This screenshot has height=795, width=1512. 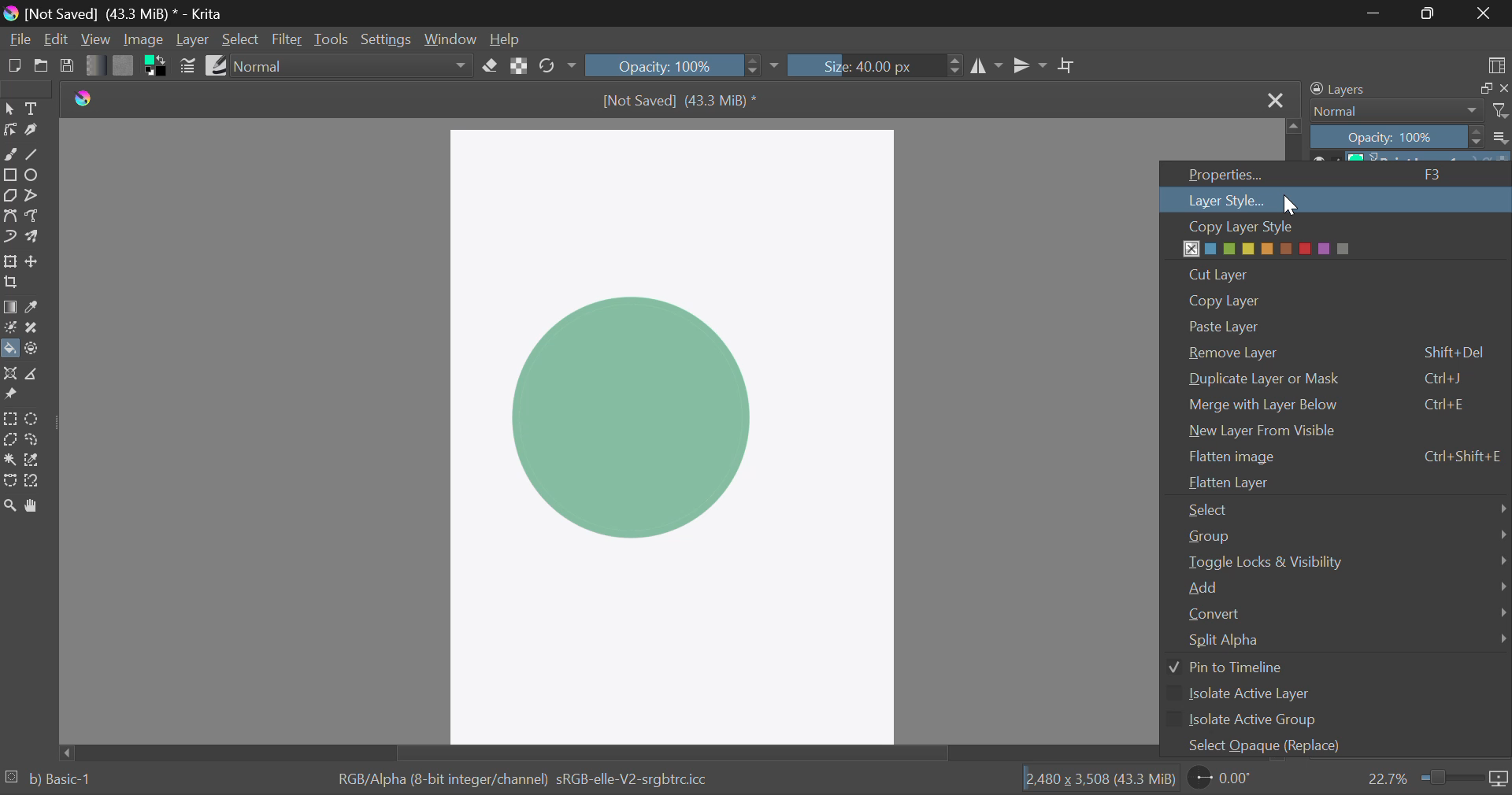 What do you see at coordinates (517, 781) in the screenshot?
I see `Color Information` at bounding box center [517, 781].